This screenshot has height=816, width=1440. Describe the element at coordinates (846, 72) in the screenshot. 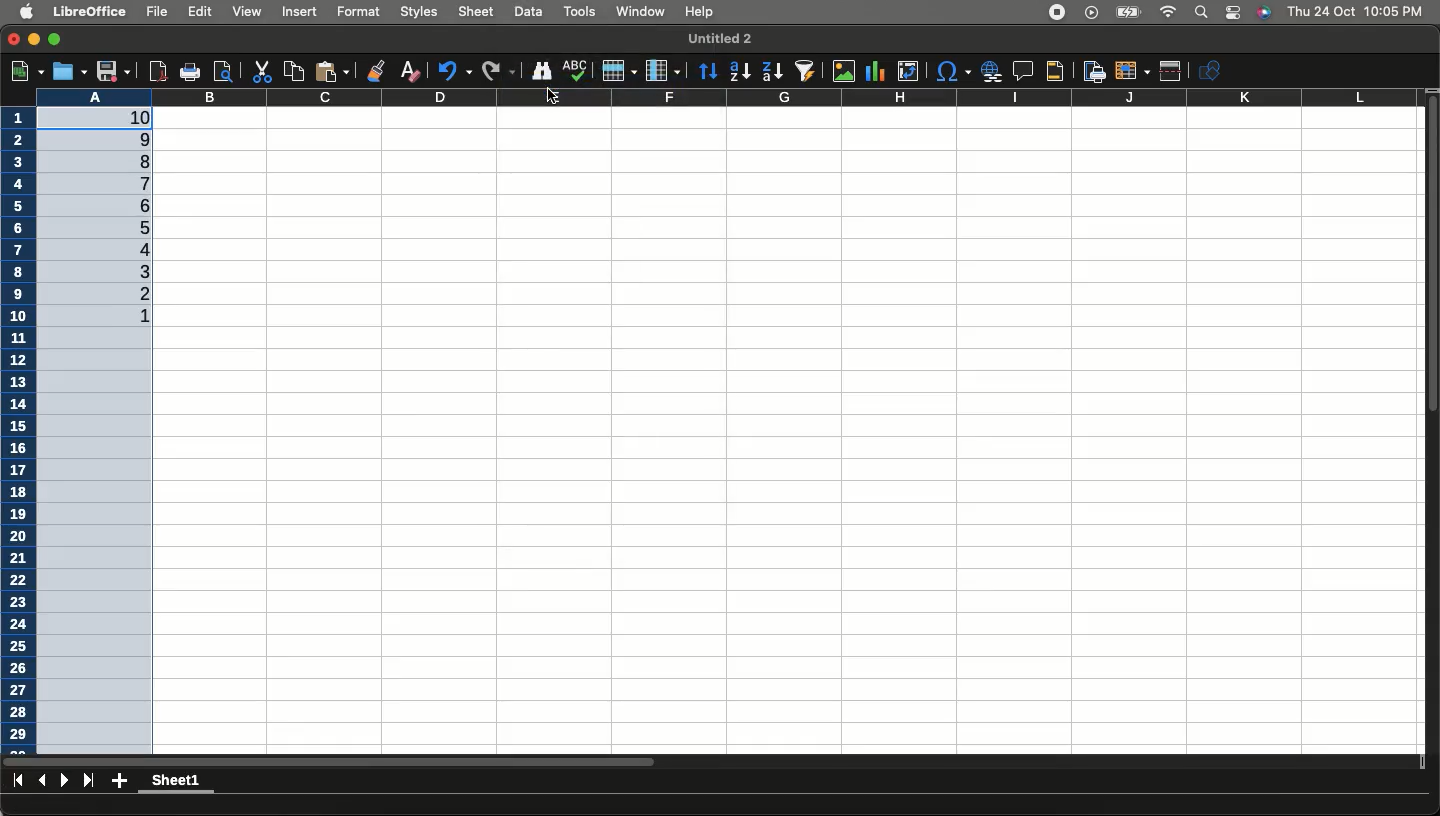

I see `Insert image` at that location.